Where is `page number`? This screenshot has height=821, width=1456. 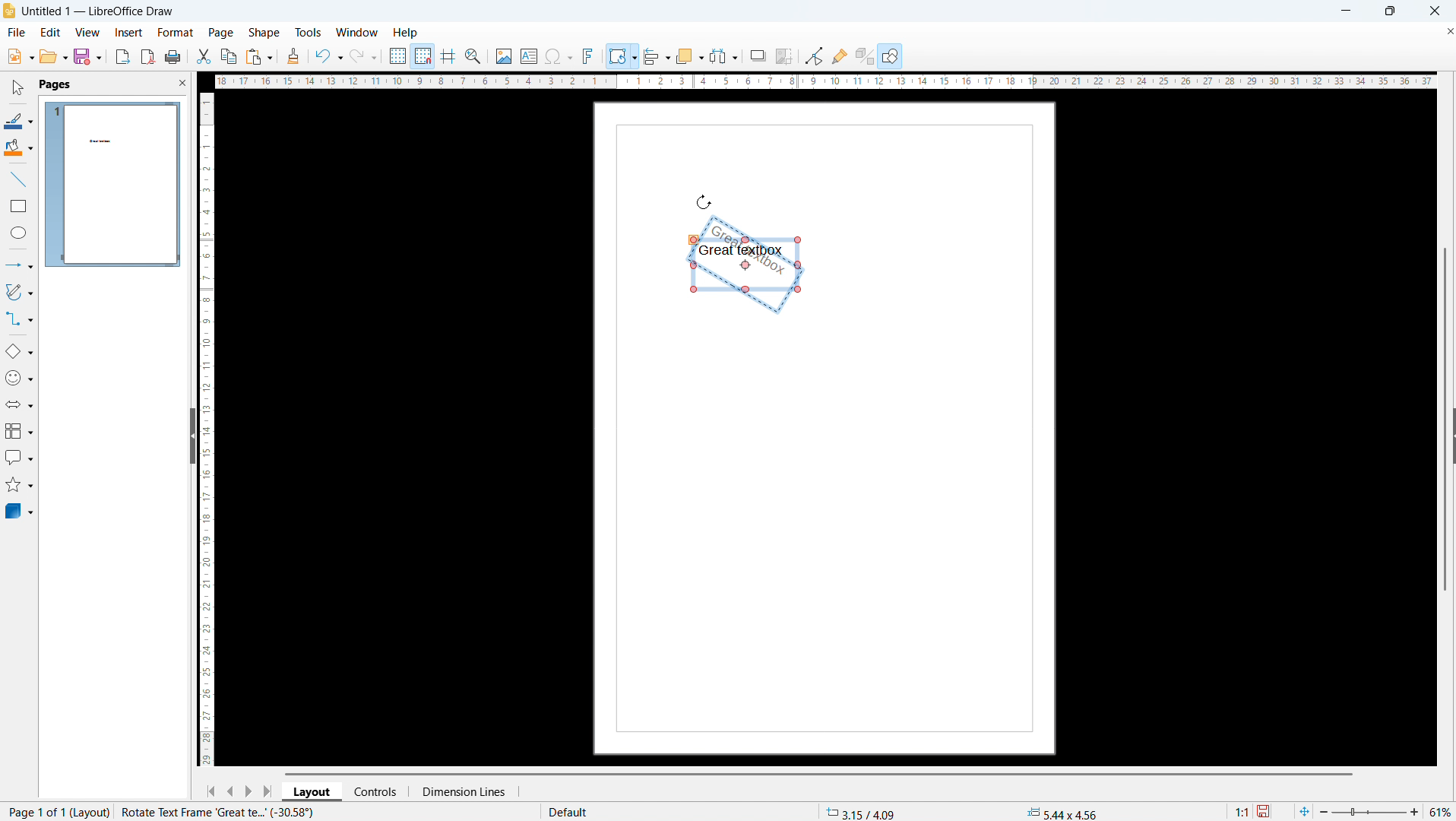 page number is located at coordinates (55, 813).